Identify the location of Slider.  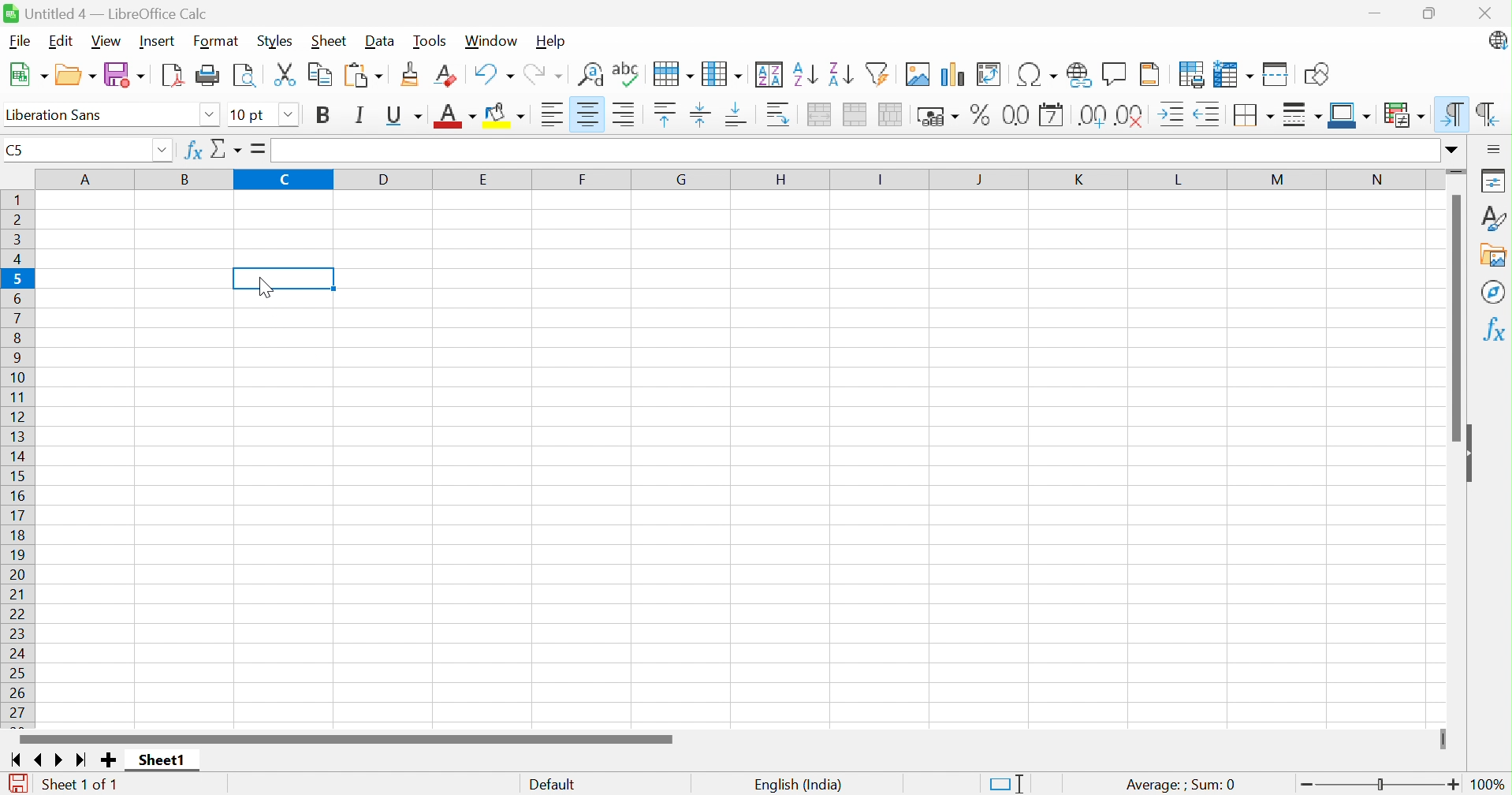
(1443, 740).